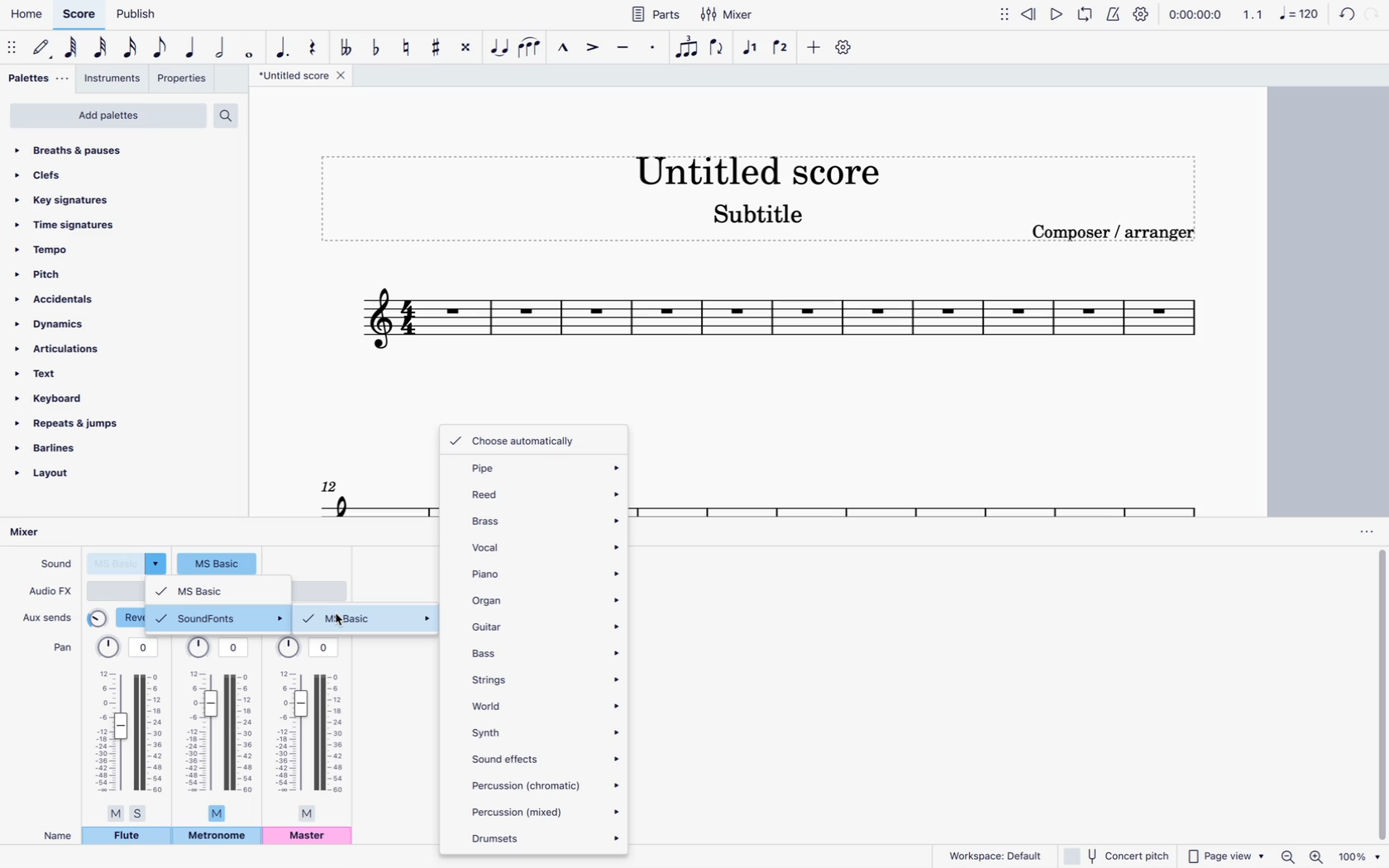 This screenshot has height=868, width=1389. What do you see at coordinates (655, 13) in the screenshot?
I see `parts` at bounding box center [655, 13].